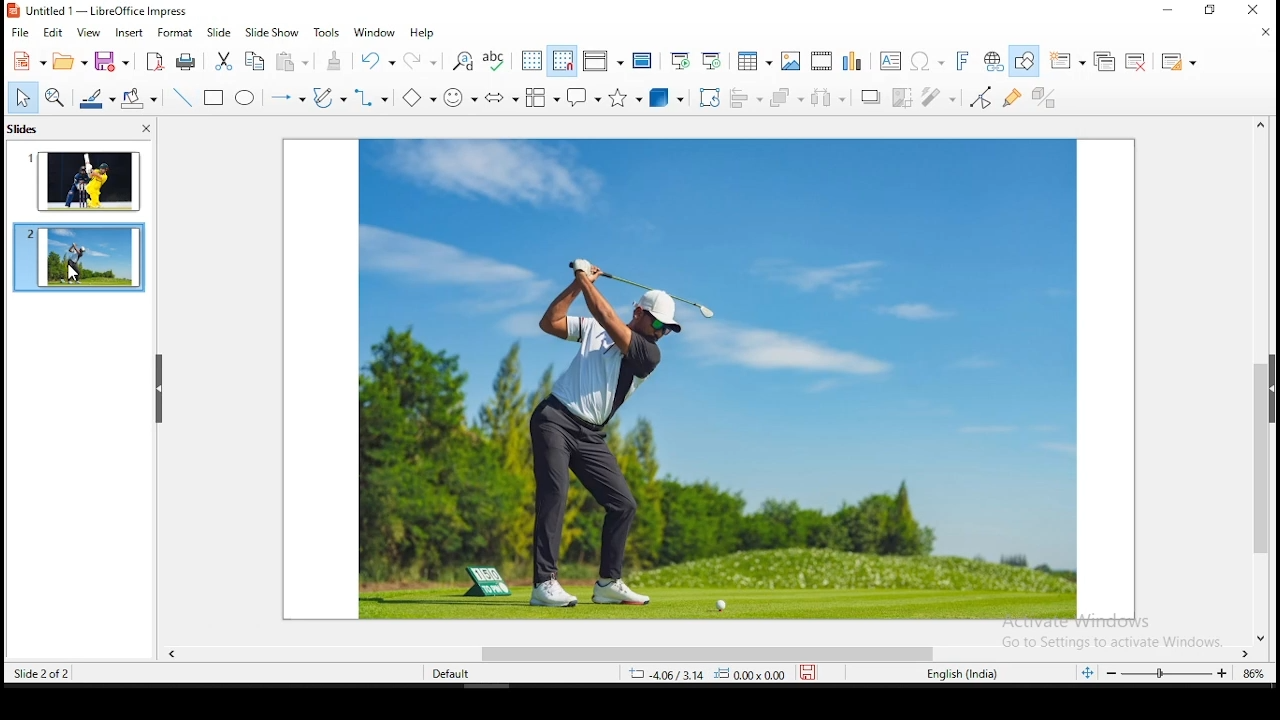 Image resolution: width=1280 pixels, height=720 pixels. What do you see at coordinates (980, 97) in the screenshot?
I see `toggle point edit mode` at bounding box center [980, 97].